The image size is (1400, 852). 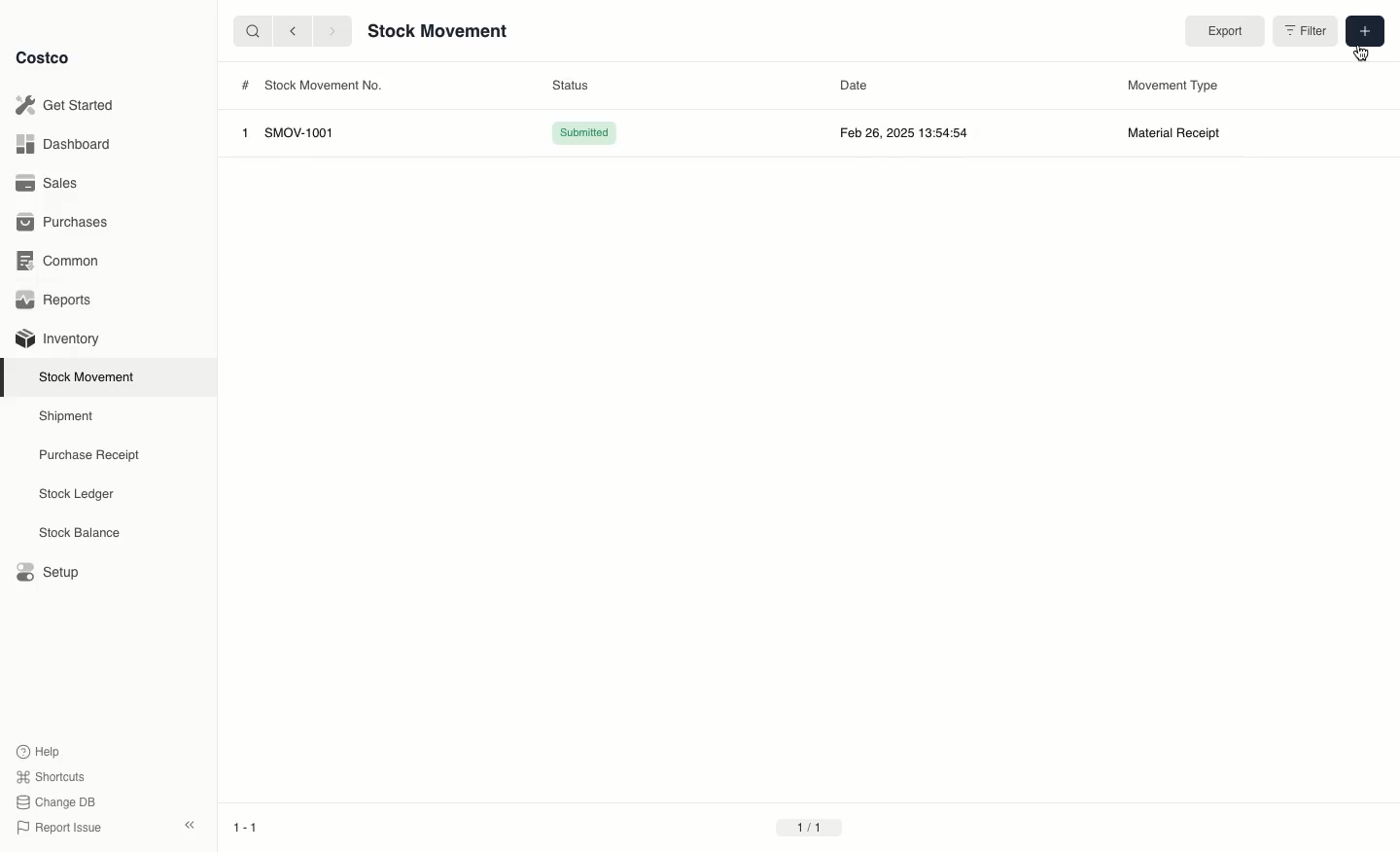 I want to click on SMOV-1001, so click(x=302, y=132).